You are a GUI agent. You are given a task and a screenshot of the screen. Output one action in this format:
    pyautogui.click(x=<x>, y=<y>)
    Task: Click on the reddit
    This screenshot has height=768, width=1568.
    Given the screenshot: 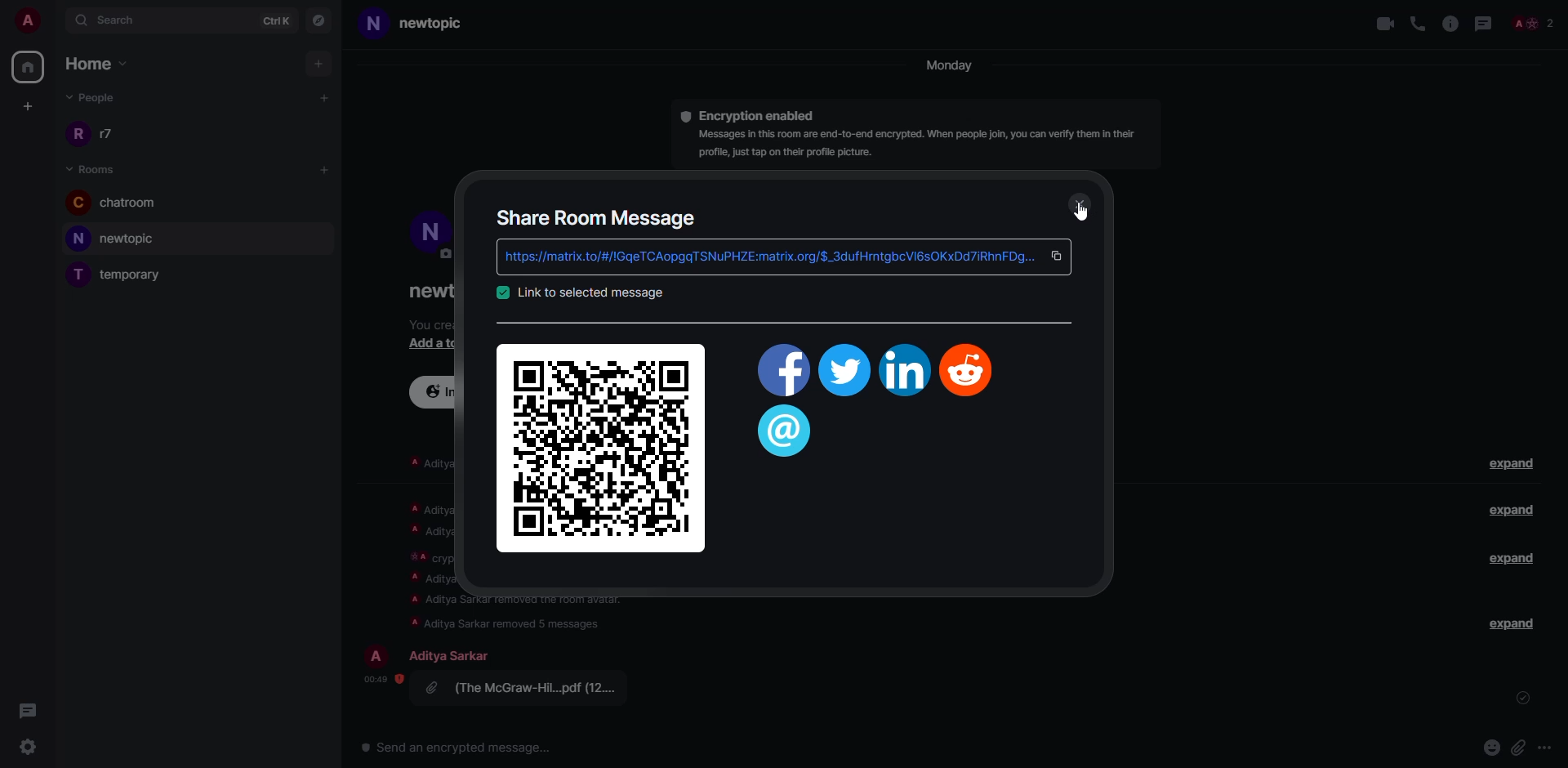 What is the action you would take?
    pyautogui.click(x=969, y=368)
    